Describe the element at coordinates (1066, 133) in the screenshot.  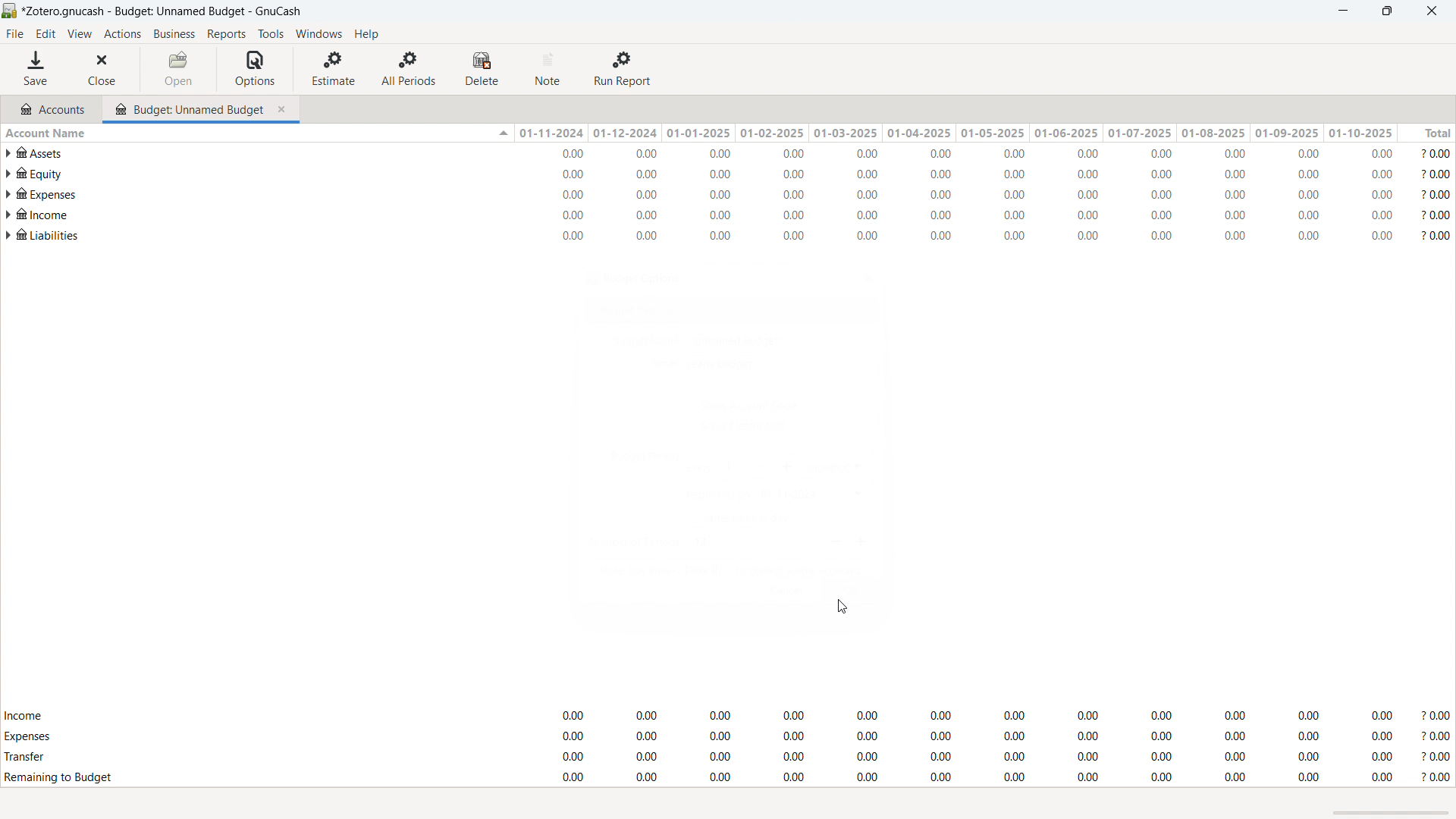
I see `01-06-2025` at that location.